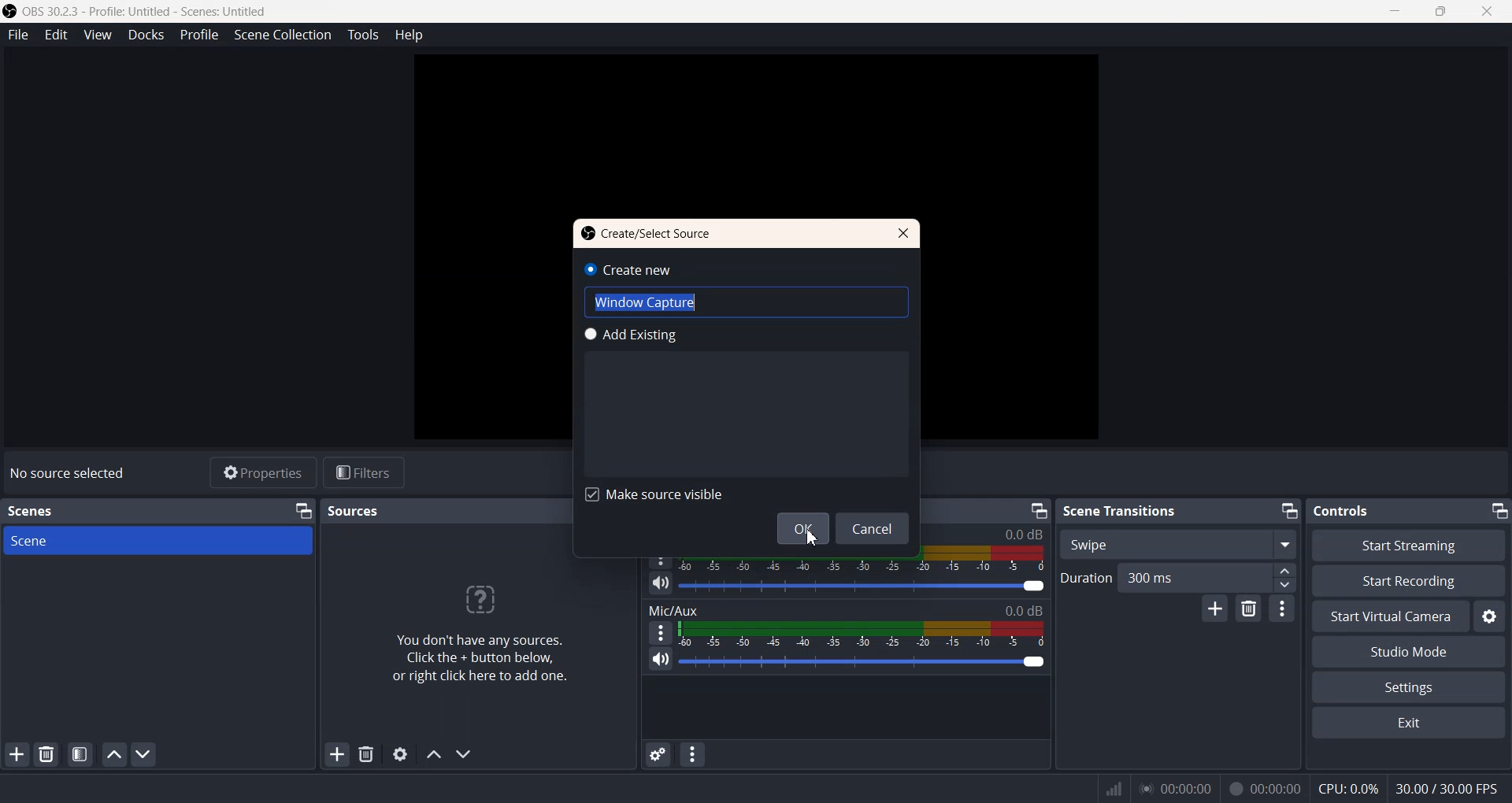 This screenshot has width=1512, height=803. Describe the element at coordinates (477, 631) in the screenshot. I see `You don't have any sources.
Click the + button below,
or right click here to add one.` at that location.